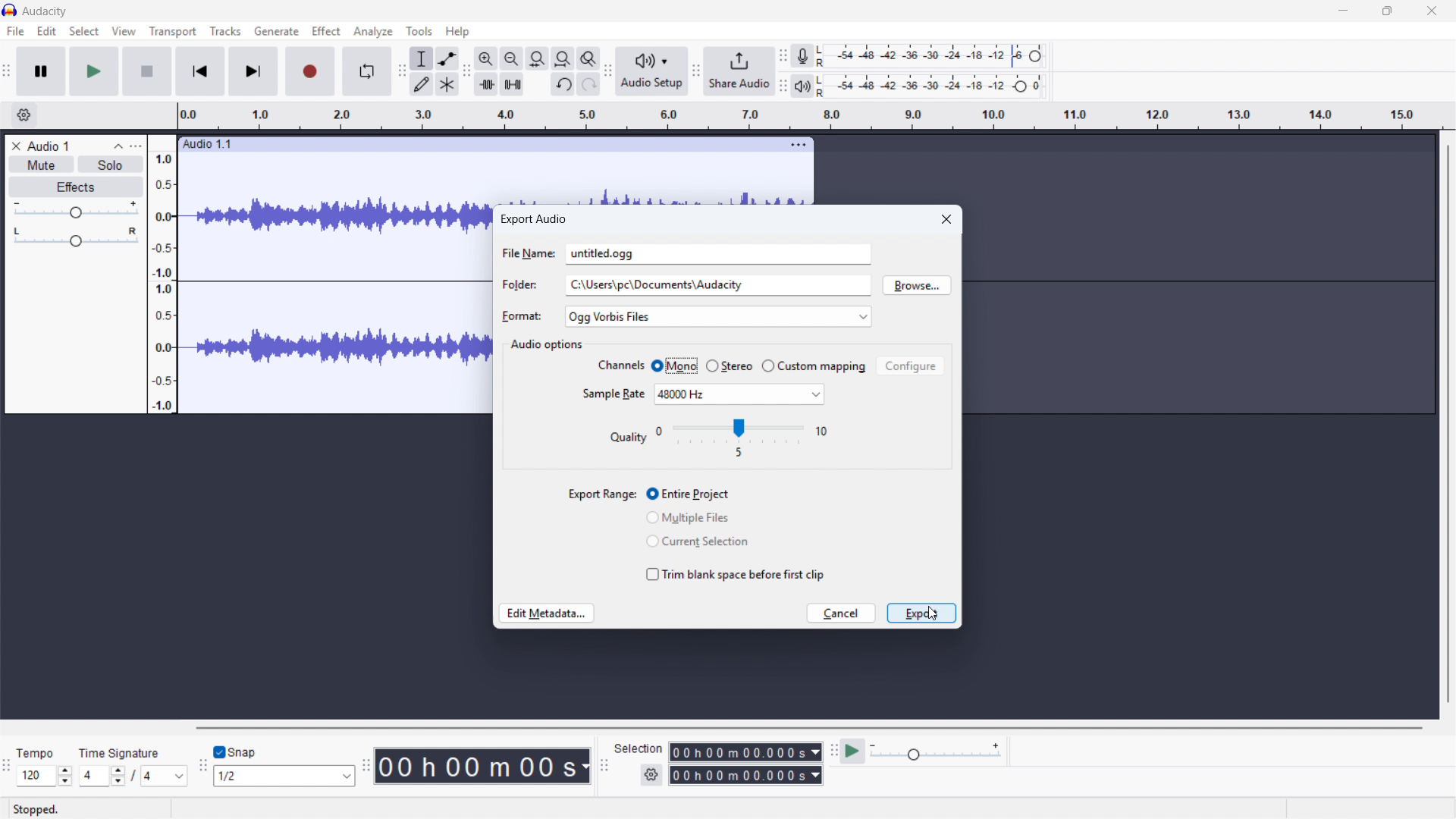 This screenshot has width=1456, height=819. What do you see at coordinates (447, 84) in the screenshot?
I see `Multi - tool ` at bounding box center [447, 84].